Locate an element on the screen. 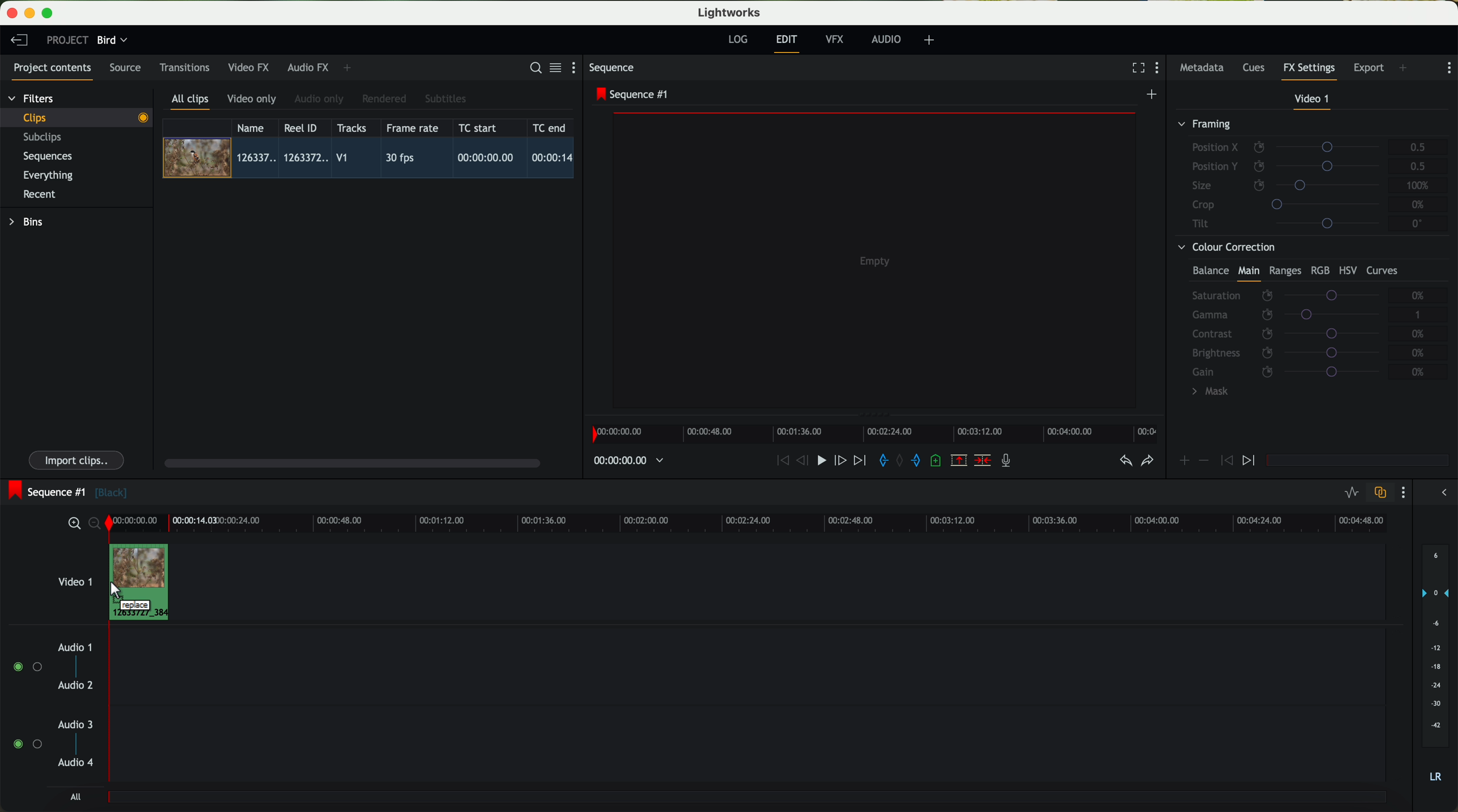 This screenshot has height=812, width=1458. 1 is located at coordinates (1418, 316).